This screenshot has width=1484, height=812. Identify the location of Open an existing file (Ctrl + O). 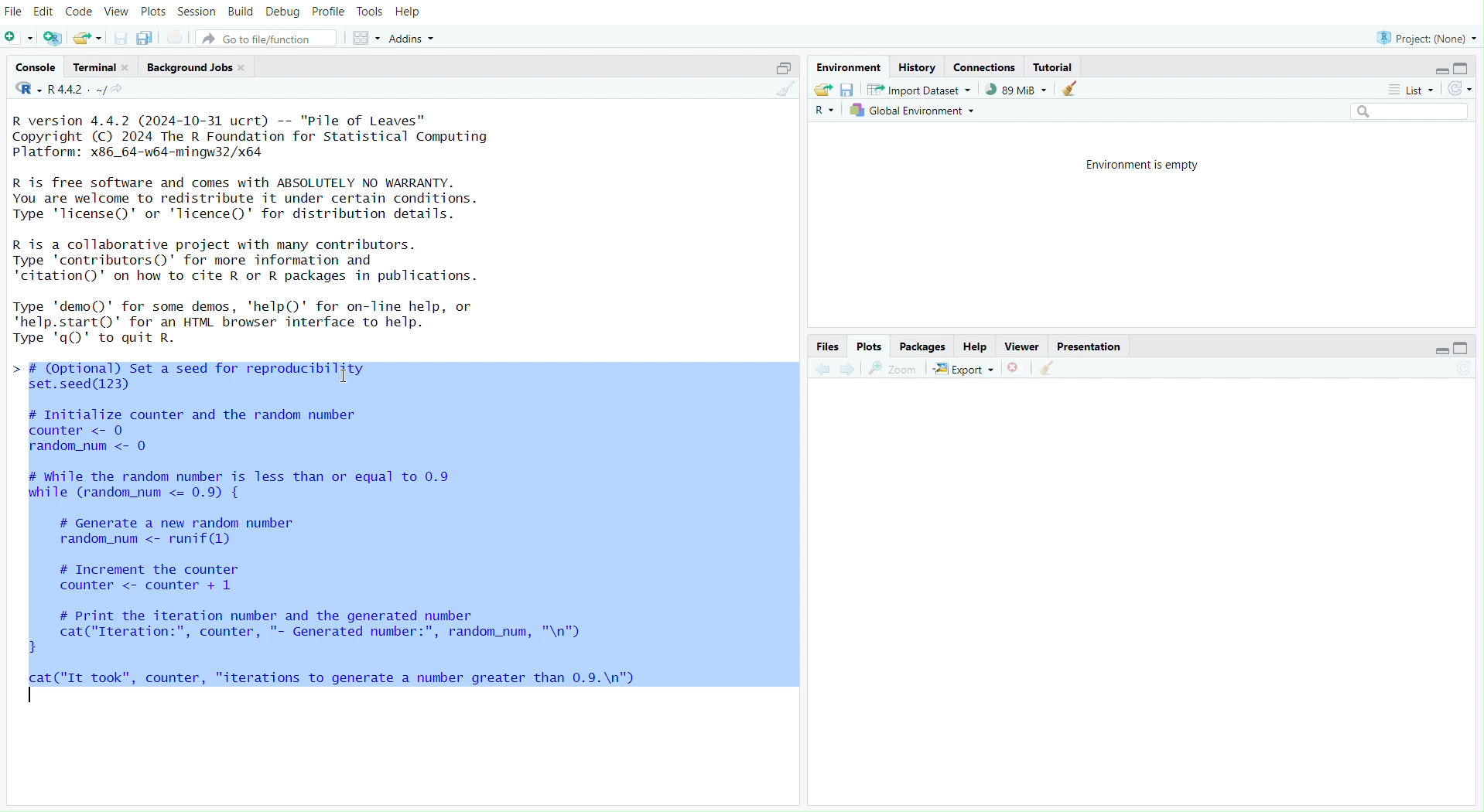
(88, 37).